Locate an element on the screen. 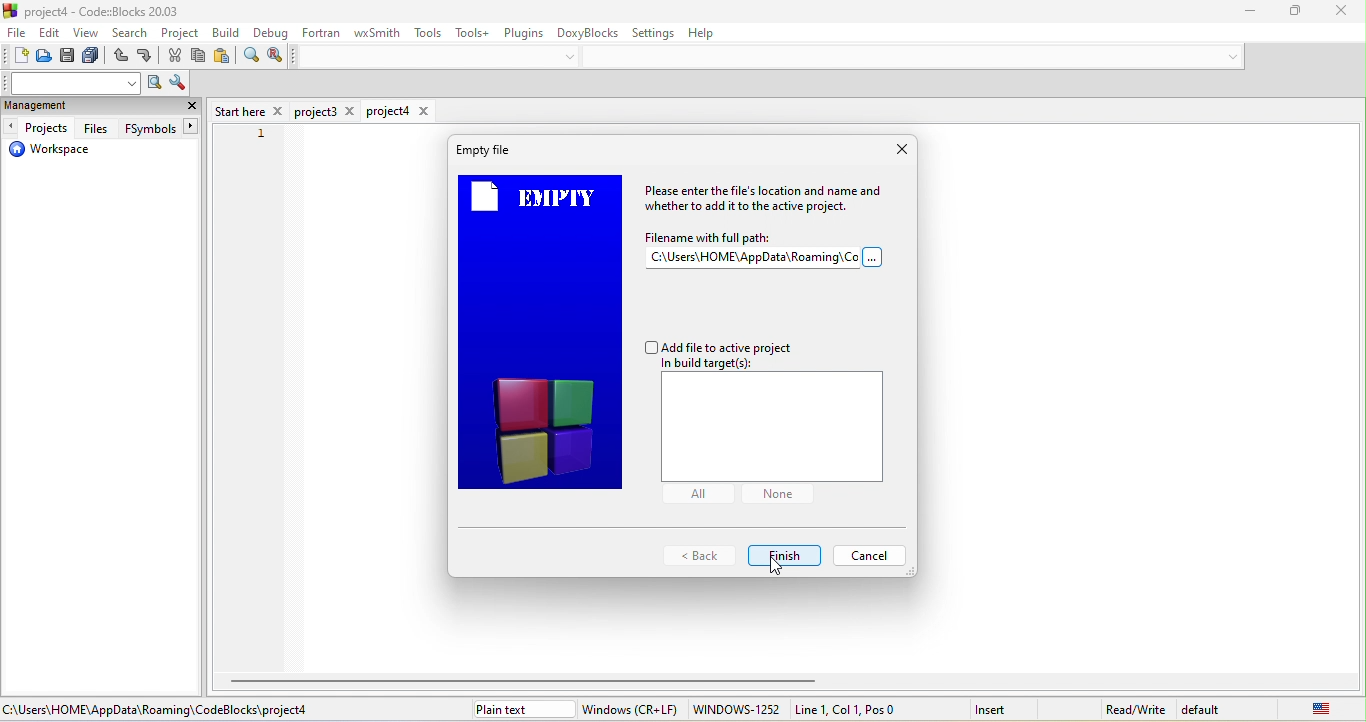 This screenshot has height=722, width=1366. Empty File is located at coordinates (483, 150).